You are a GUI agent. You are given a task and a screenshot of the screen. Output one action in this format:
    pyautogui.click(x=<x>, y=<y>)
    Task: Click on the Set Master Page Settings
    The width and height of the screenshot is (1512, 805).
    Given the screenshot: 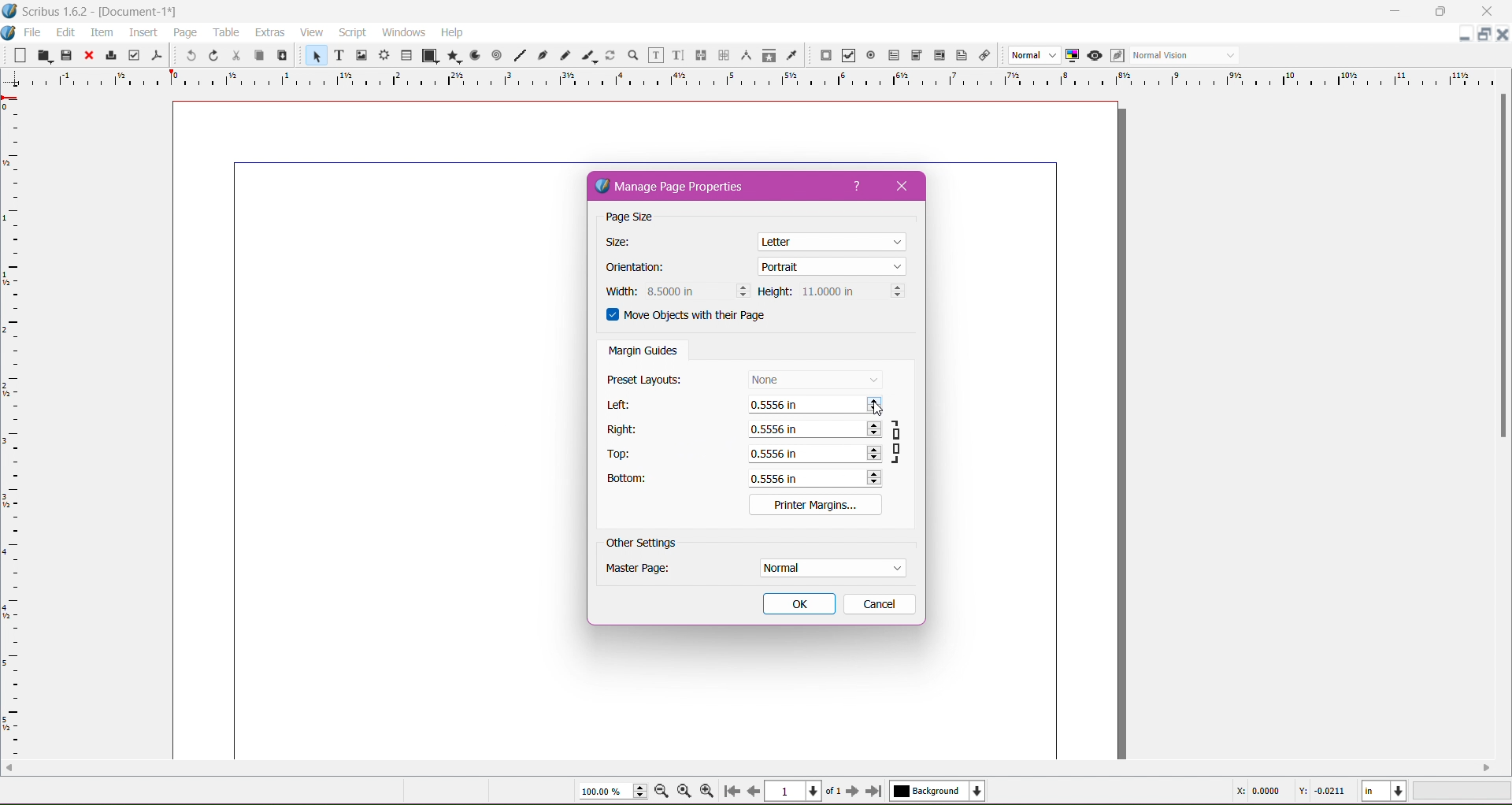 What is the action you would take?
    pyautogui.click(x=831, y=568)
    